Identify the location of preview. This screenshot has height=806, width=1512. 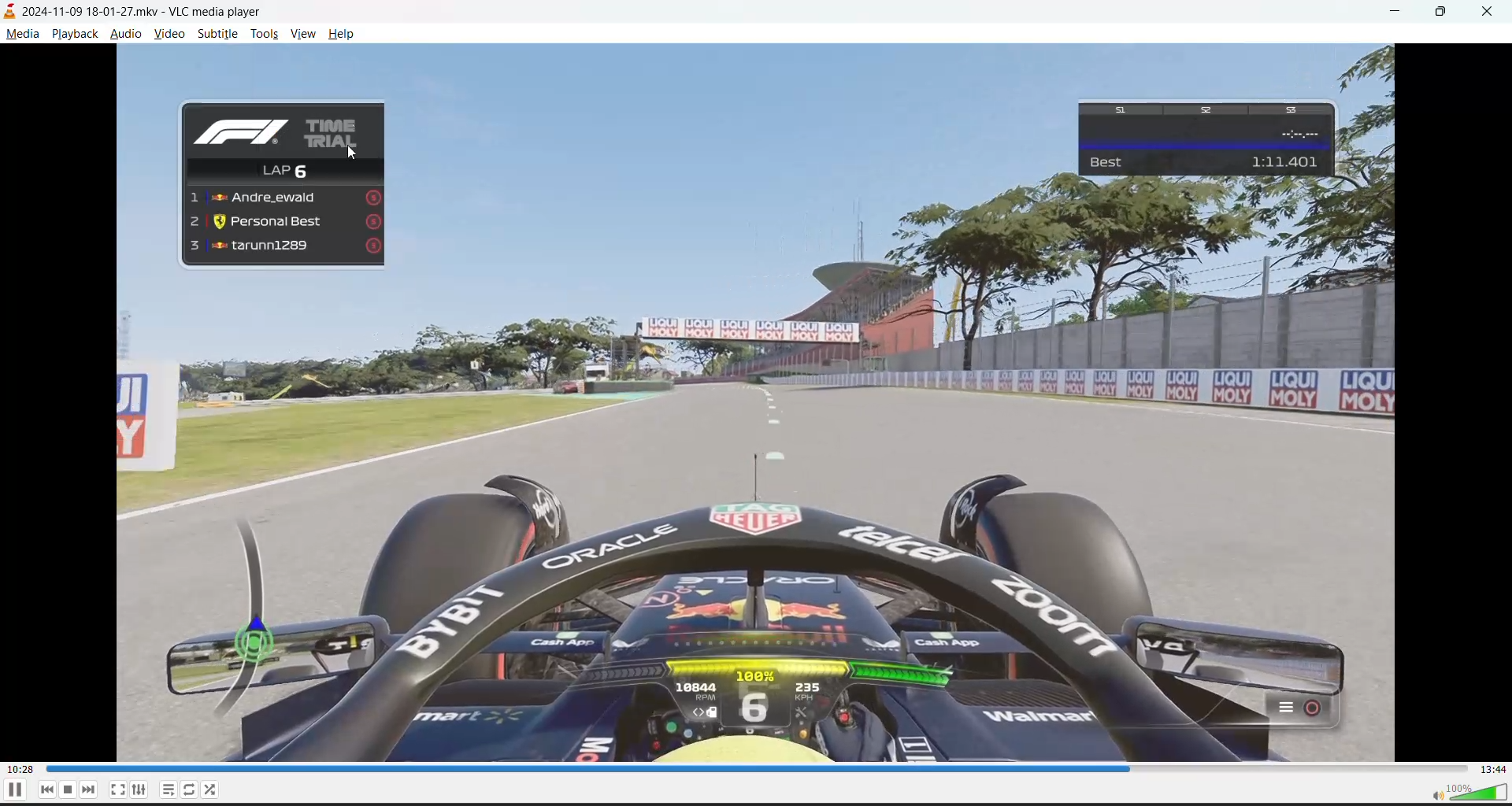
(756, 75).